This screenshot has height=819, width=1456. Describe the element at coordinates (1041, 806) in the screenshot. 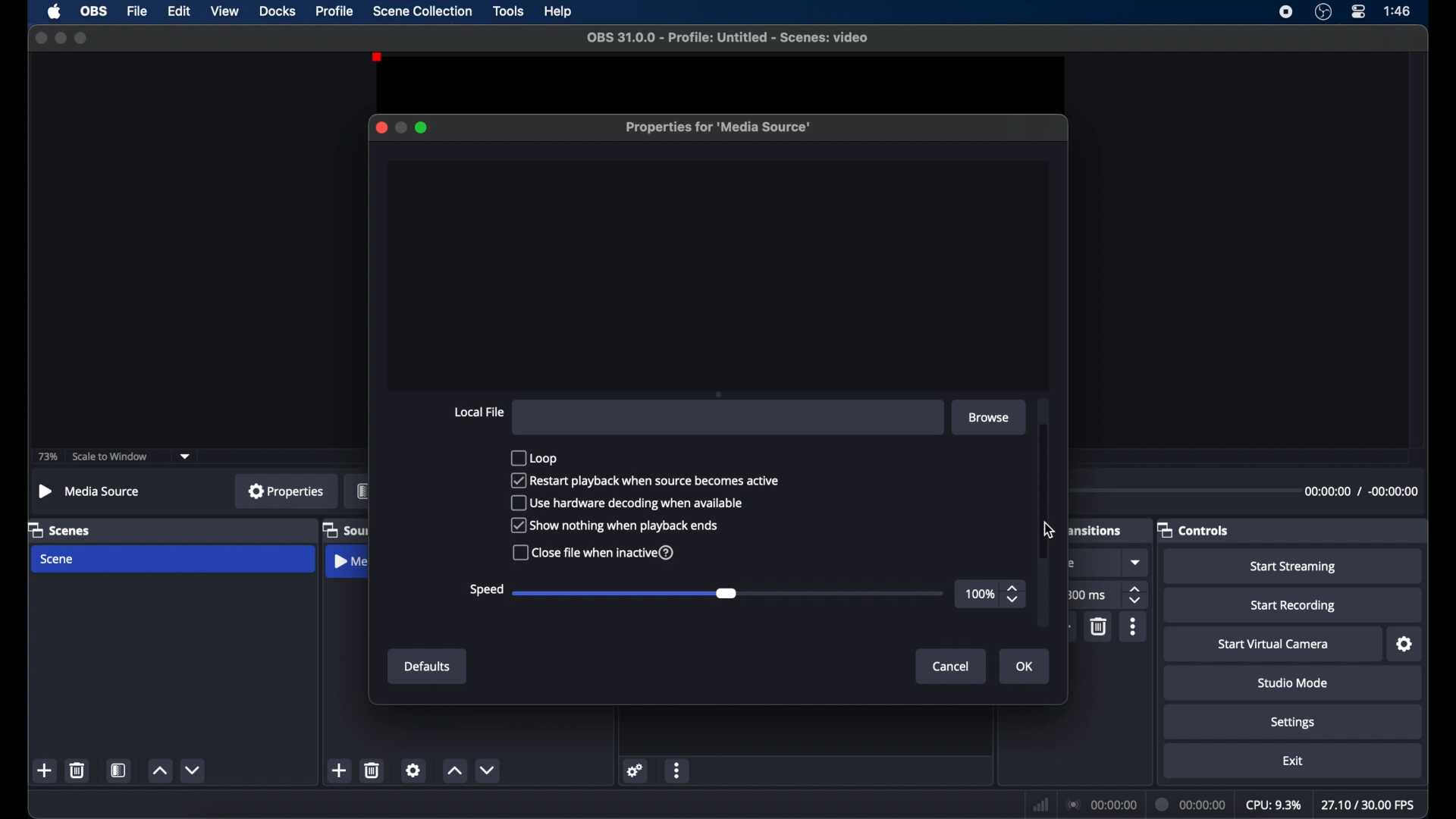

I see `network` at that location.